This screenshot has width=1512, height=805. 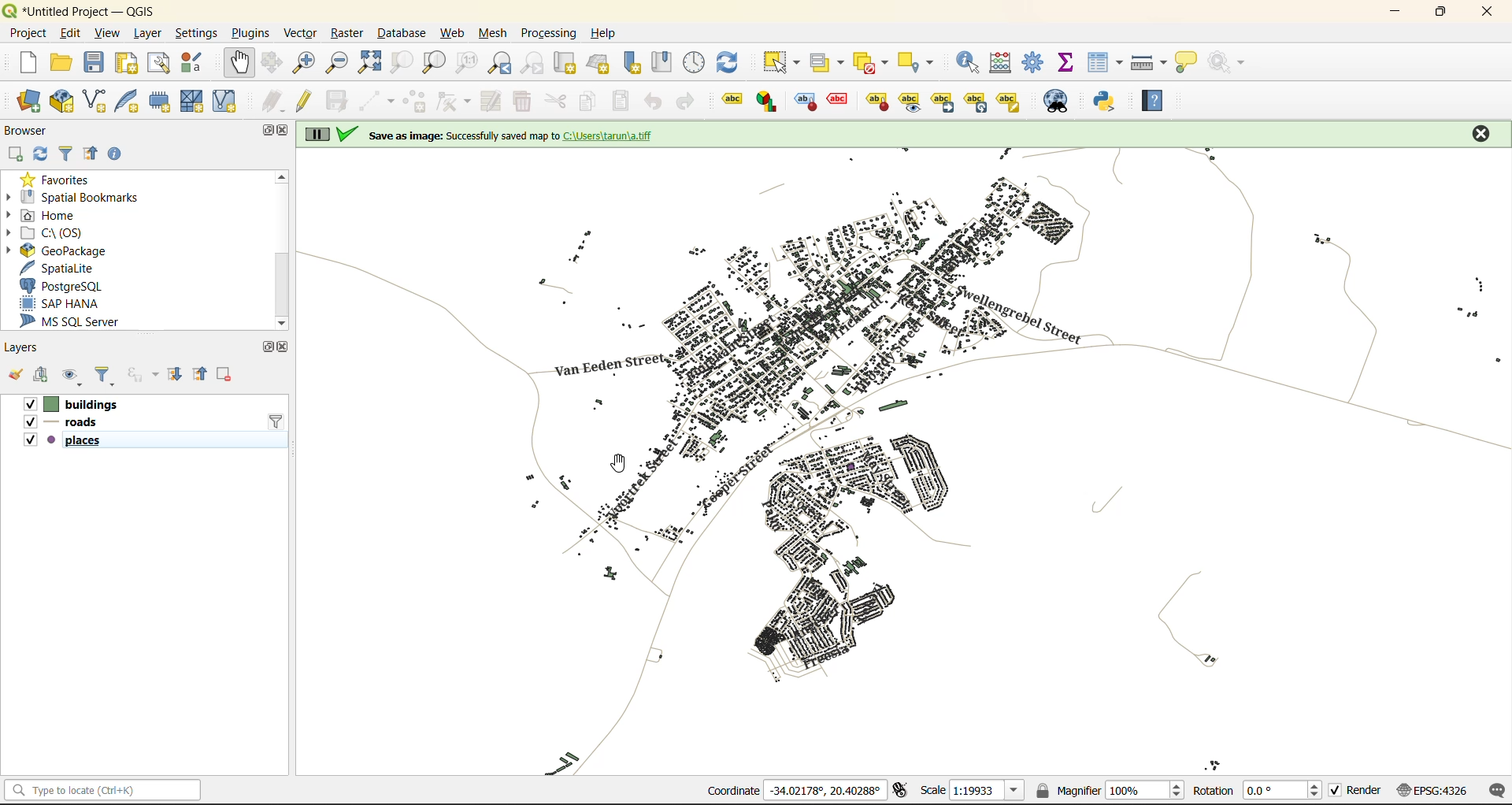 I want to click on on screen notification, so click(x=603, y=135).